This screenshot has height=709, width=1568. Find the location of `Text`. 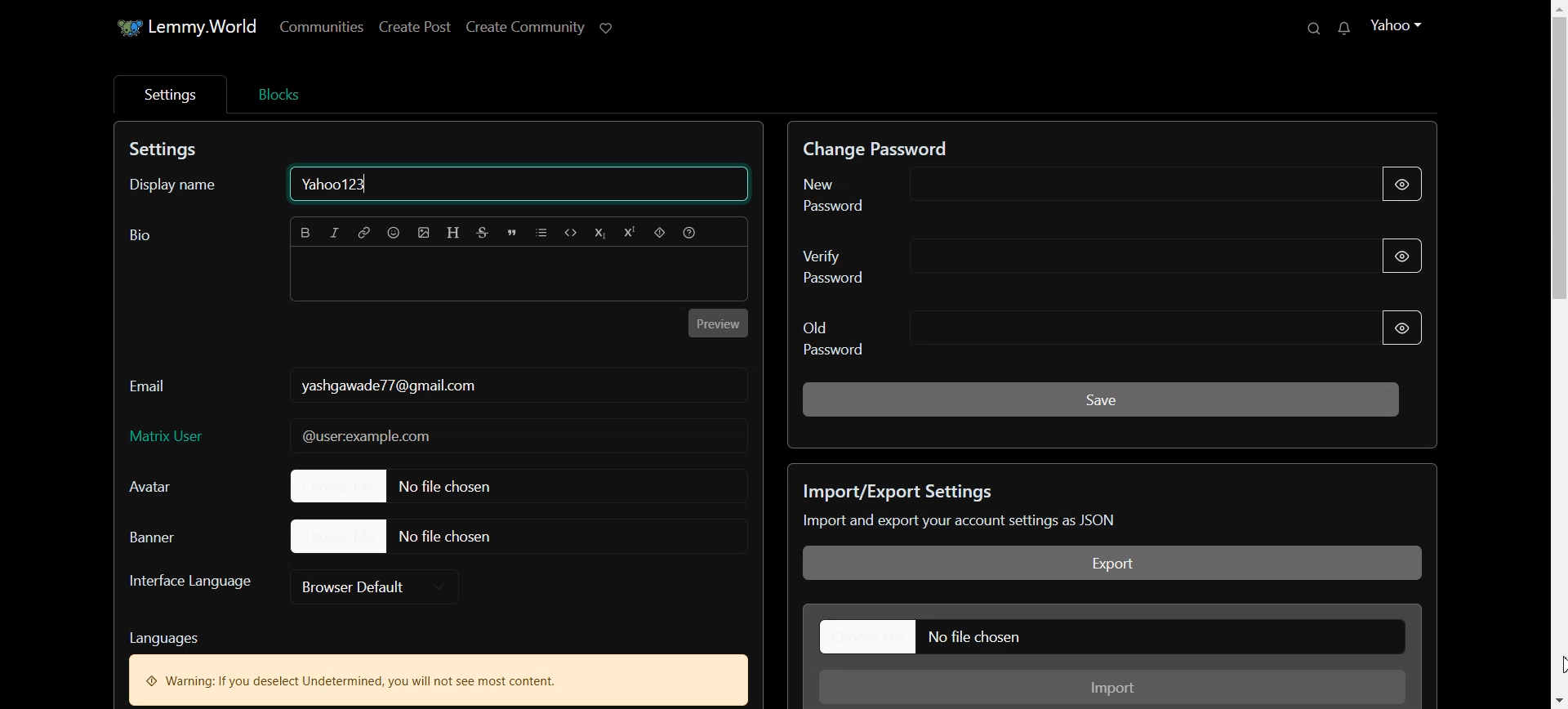

Text is located at coordinates (337, 185).